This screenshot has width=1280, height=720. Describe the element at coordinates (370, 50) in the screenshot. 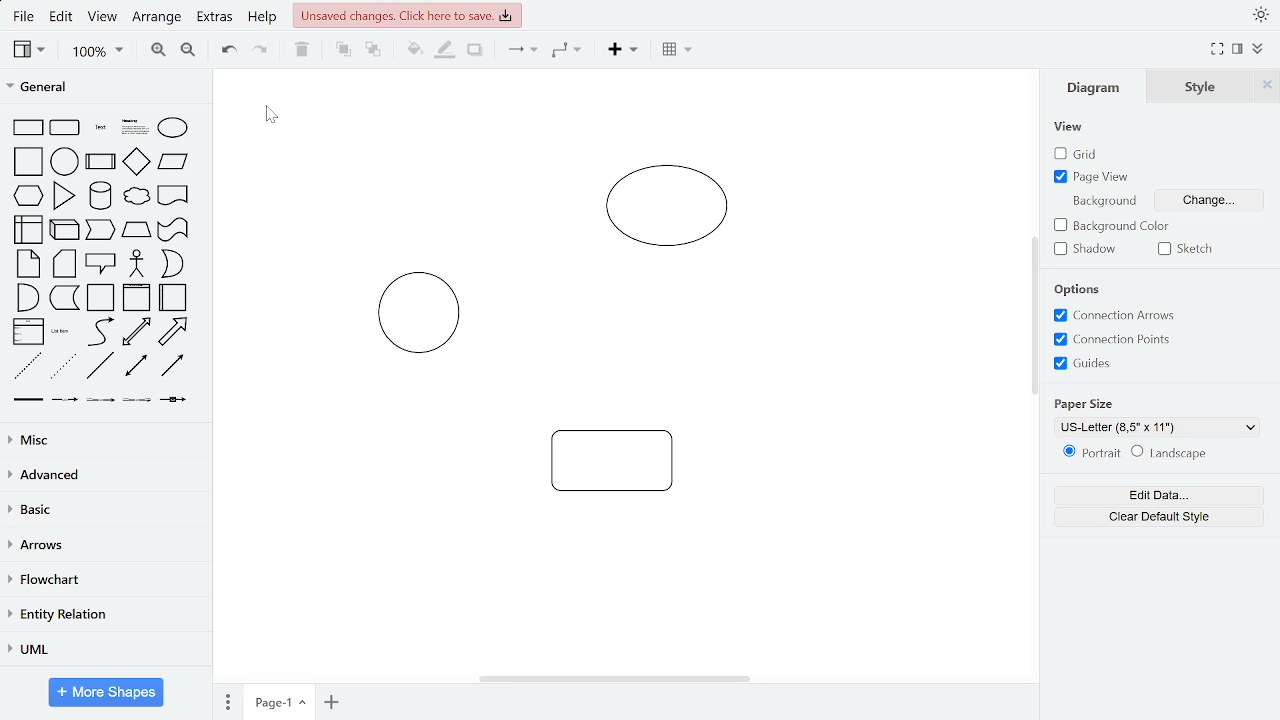

I see `to back` at that location.